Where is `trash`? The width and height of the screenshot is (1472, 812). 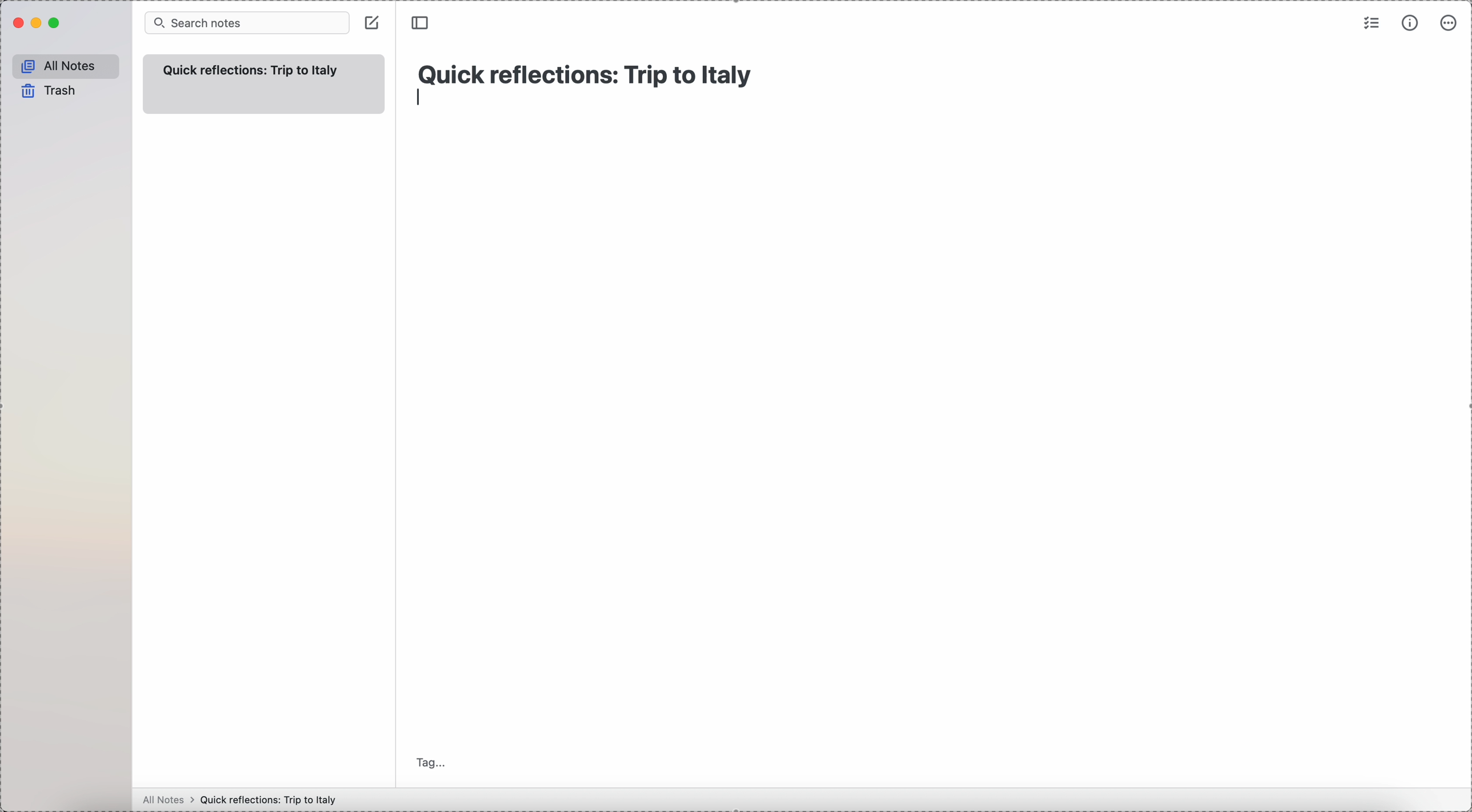
trash is located at coordinates (47, 91).